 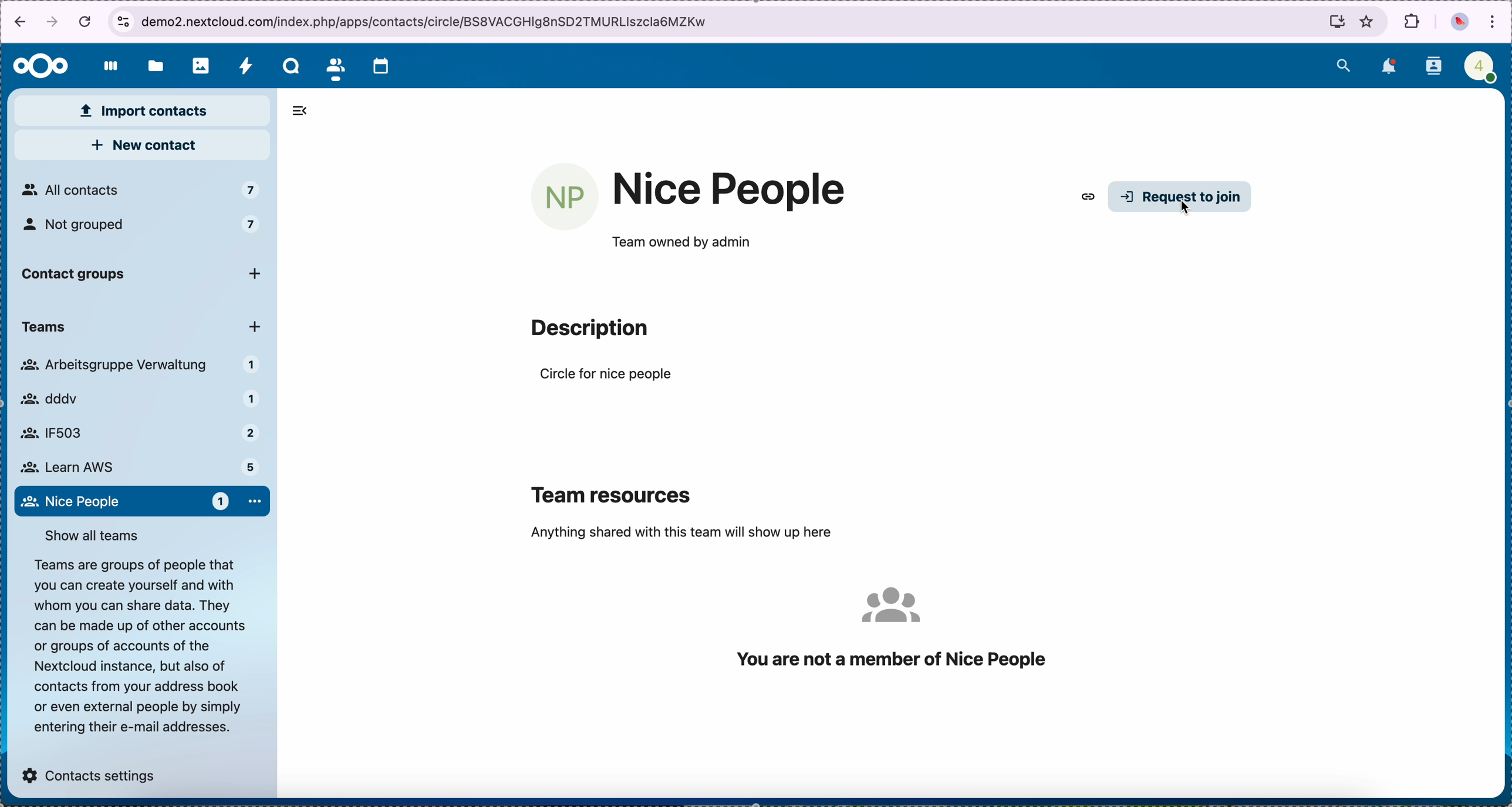 What do you see at coordinates (95, 534) in the screenshot?
I see `show all temas` at bounding box center [95, 534].